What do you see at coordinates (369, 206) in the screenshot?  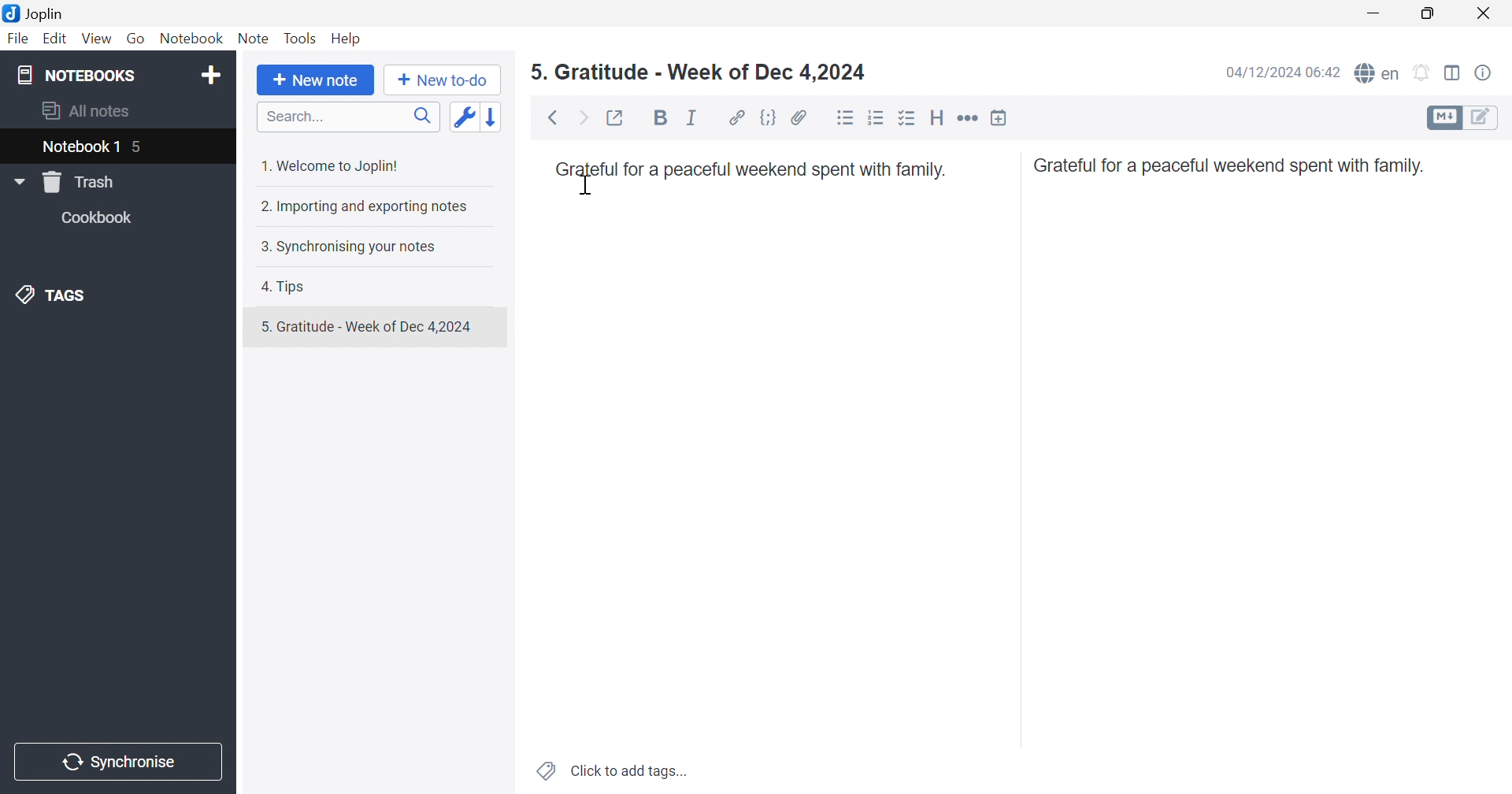 I see `2. Importing and exporting notes` at bounding box center [369, 206].